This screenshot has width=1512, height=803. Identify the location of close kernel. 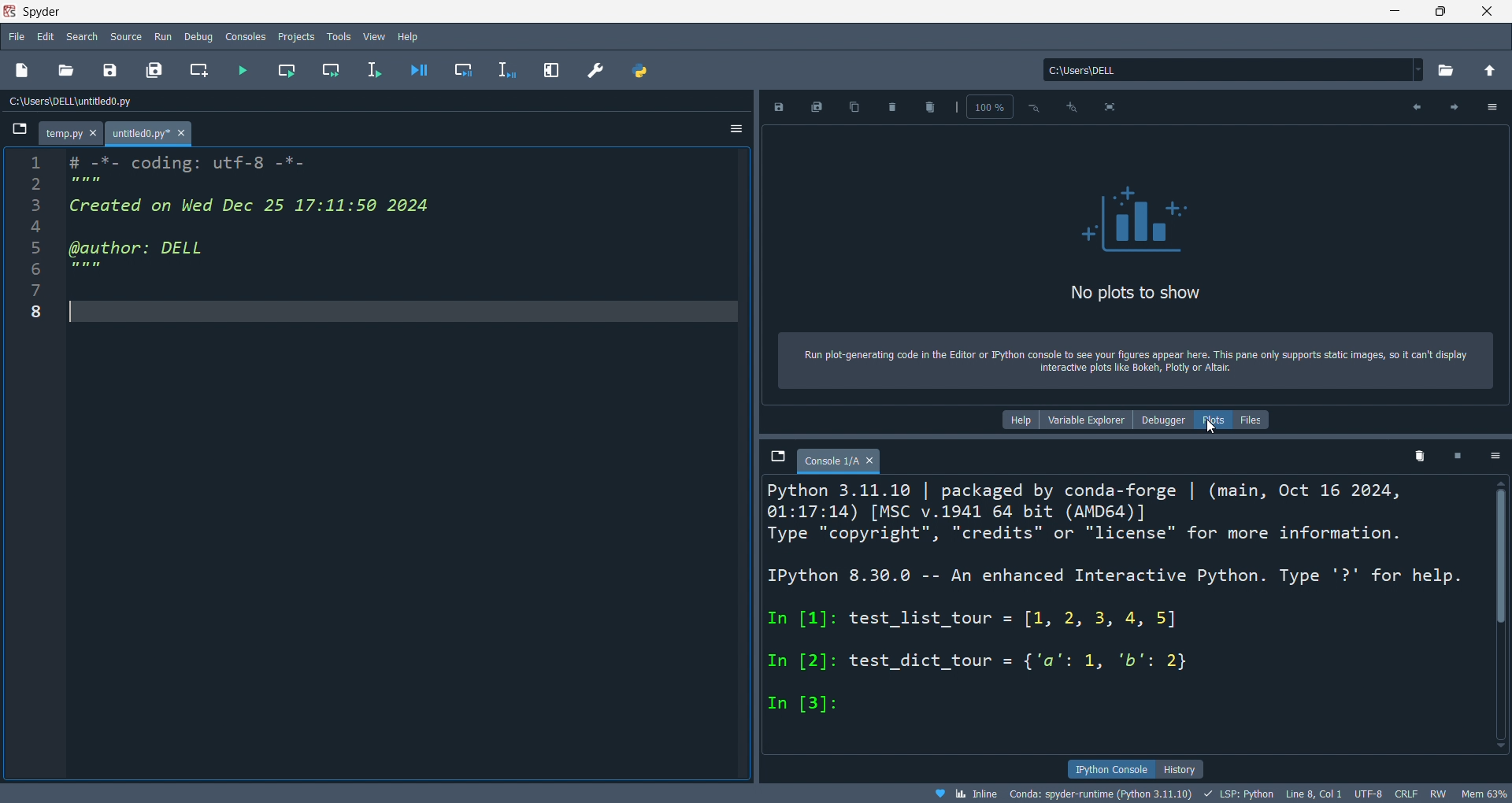
(1459, 454).